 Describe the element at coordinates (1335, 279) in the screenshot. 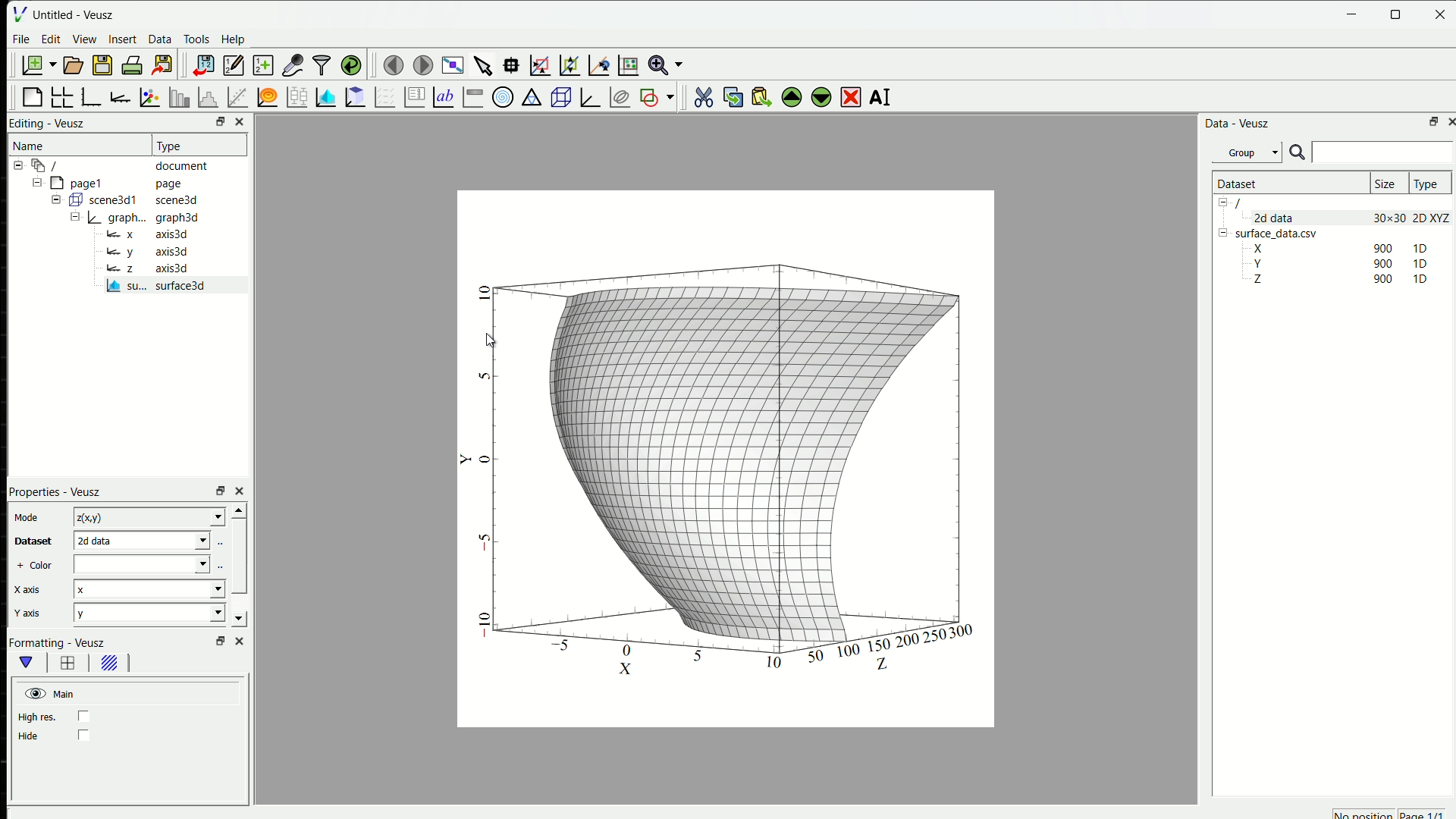

I see `Z 90 1D` at that location.